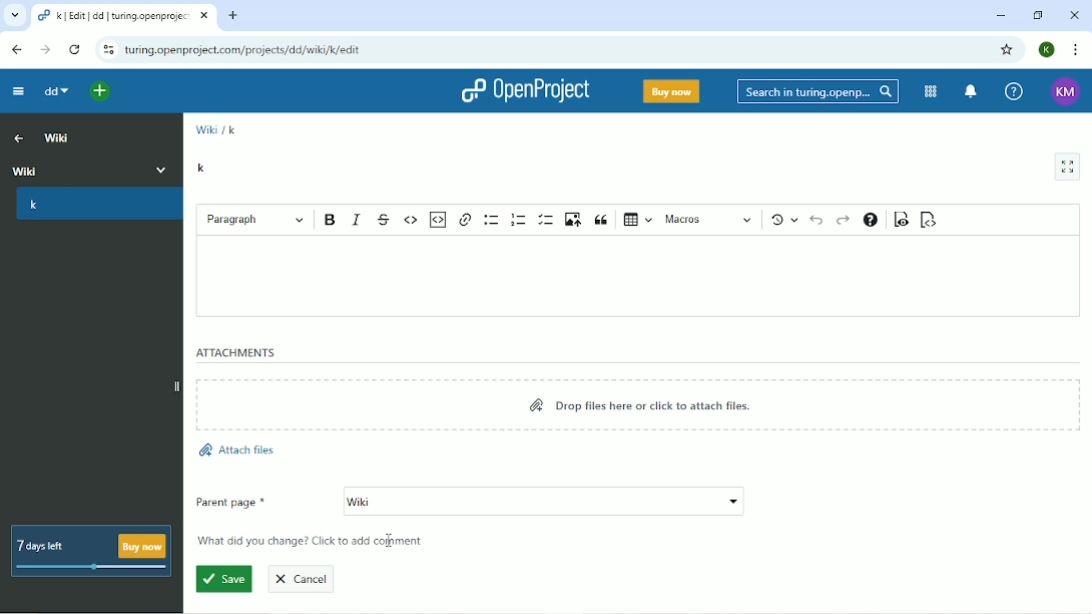 The image size is (1092, 614). What do you see at coordinates (818, 220) in the screenshot?
I see `Undo` at bounding box center [818, 220].